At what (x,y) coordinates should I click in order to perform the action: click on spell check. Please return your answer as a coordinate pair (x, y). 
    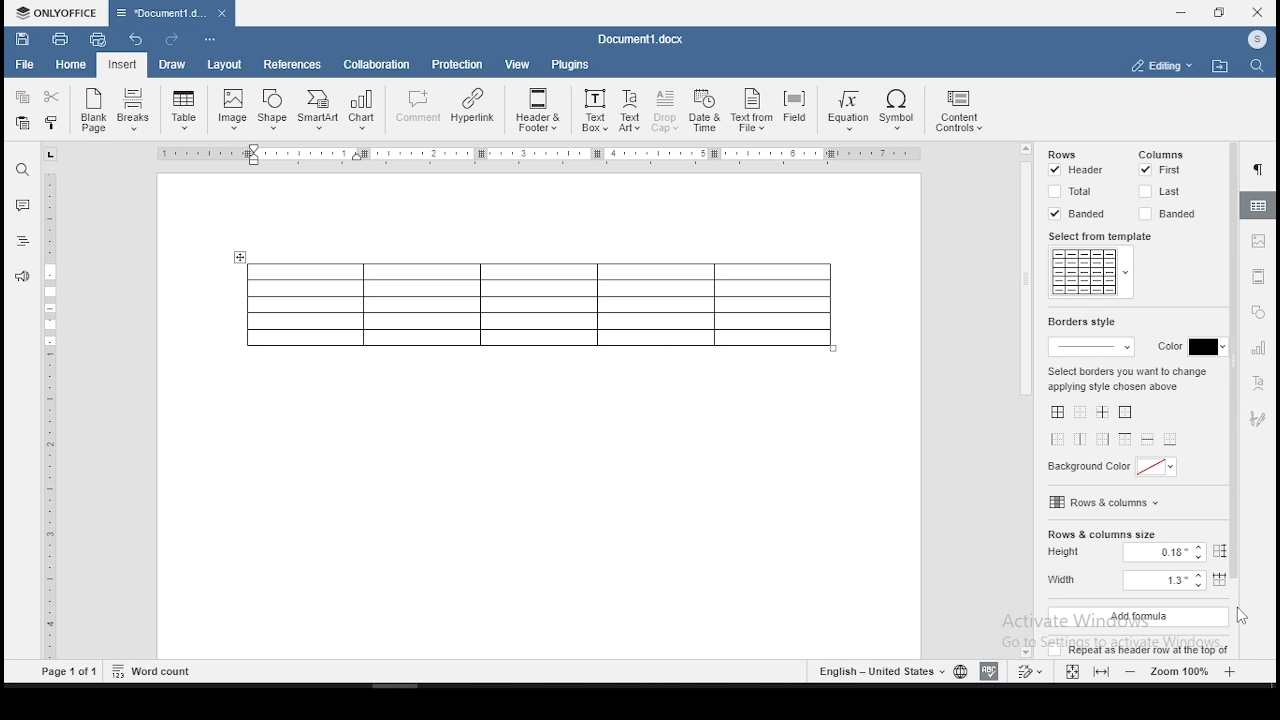
    Looking at the image, I should click on (989, 672).